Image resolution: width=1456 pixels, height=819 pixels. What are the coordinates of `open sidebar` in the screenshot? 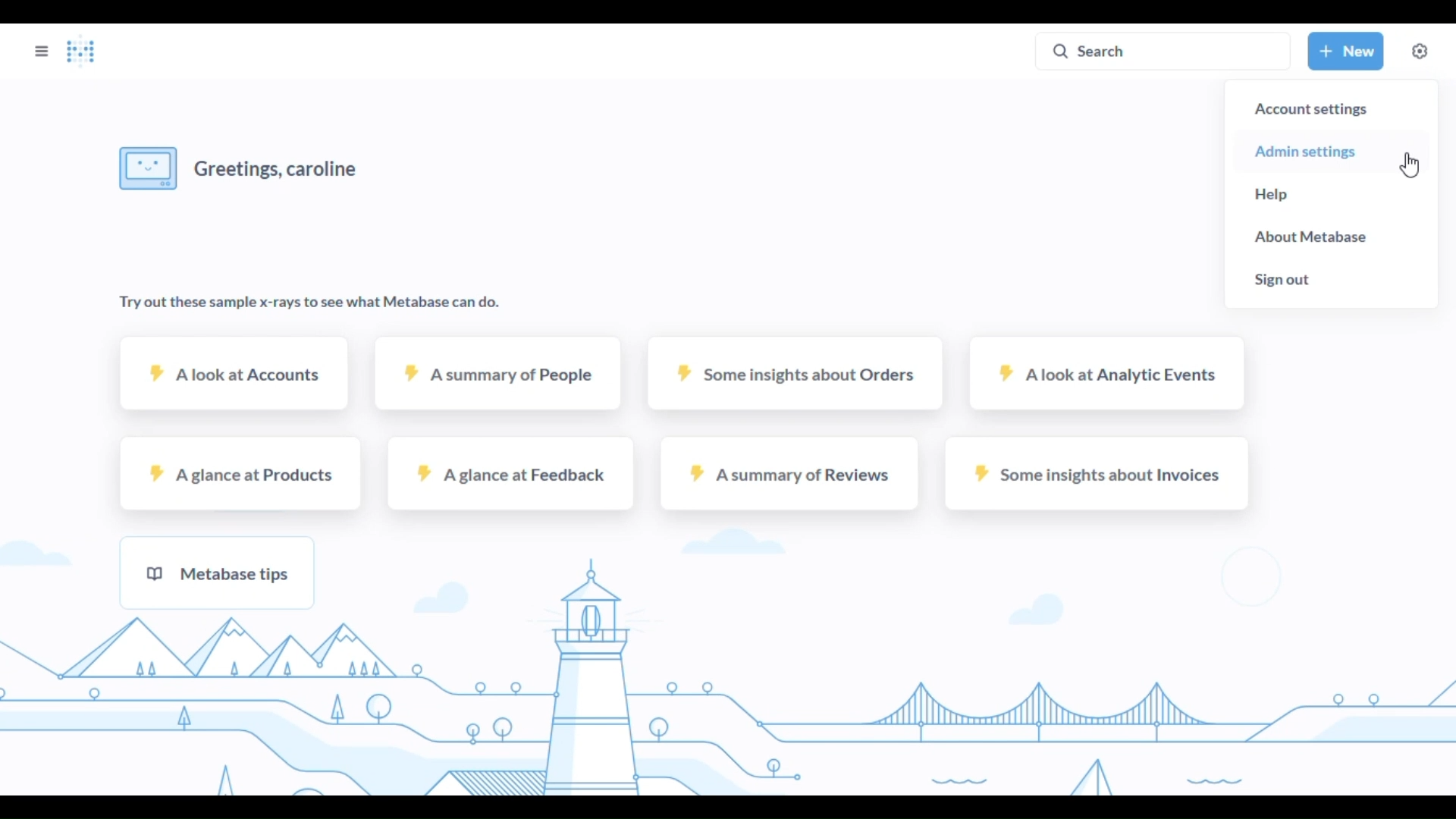 It's located at (42, 51).